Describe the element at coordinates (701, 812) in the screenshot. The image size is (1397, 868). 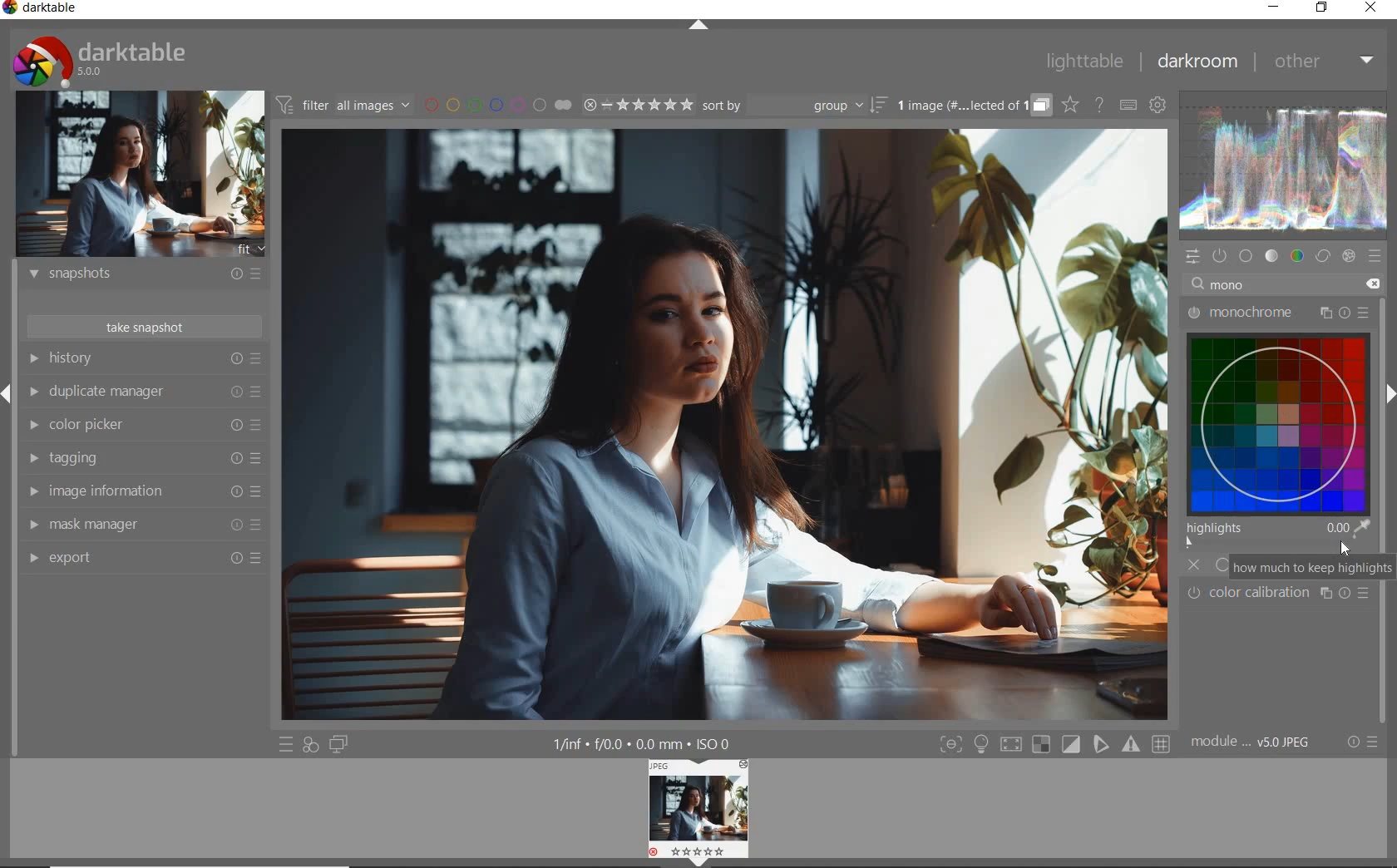
I see `Image preview` at that location.